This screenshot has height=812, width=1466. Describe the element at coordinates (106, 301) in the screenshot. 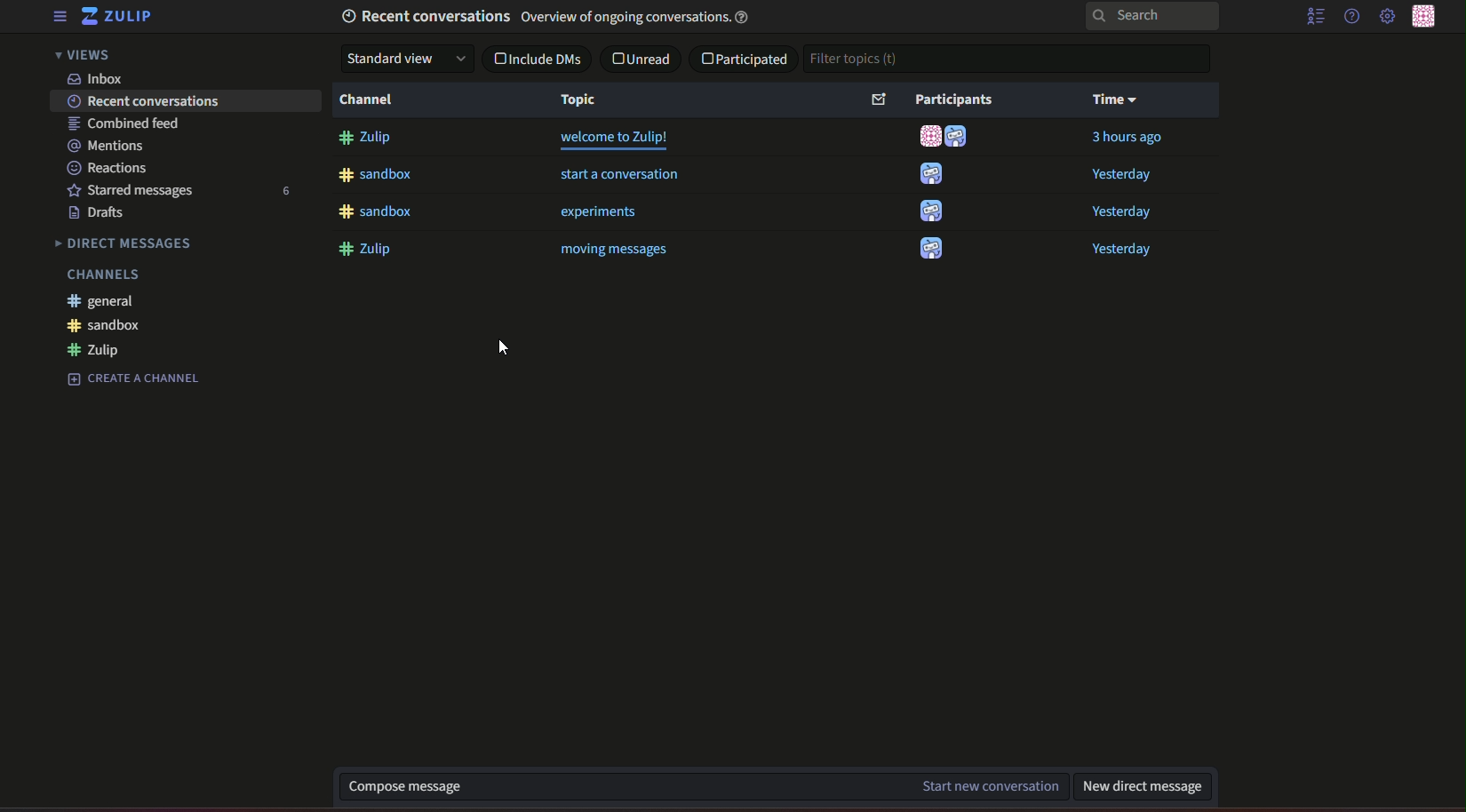

I see `#general` at that location.